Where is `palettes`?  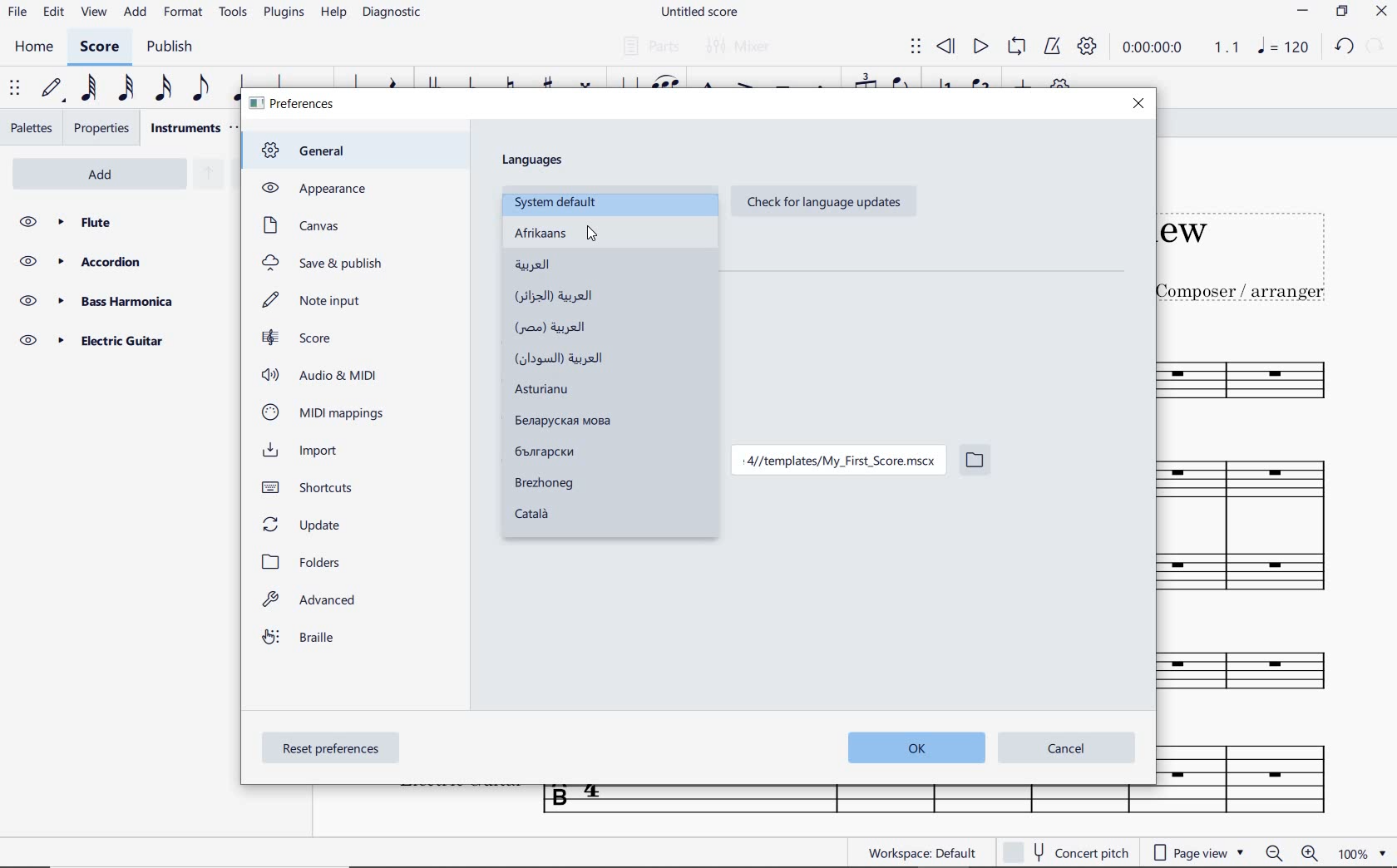
palettes is located at coordinates (33, 126).